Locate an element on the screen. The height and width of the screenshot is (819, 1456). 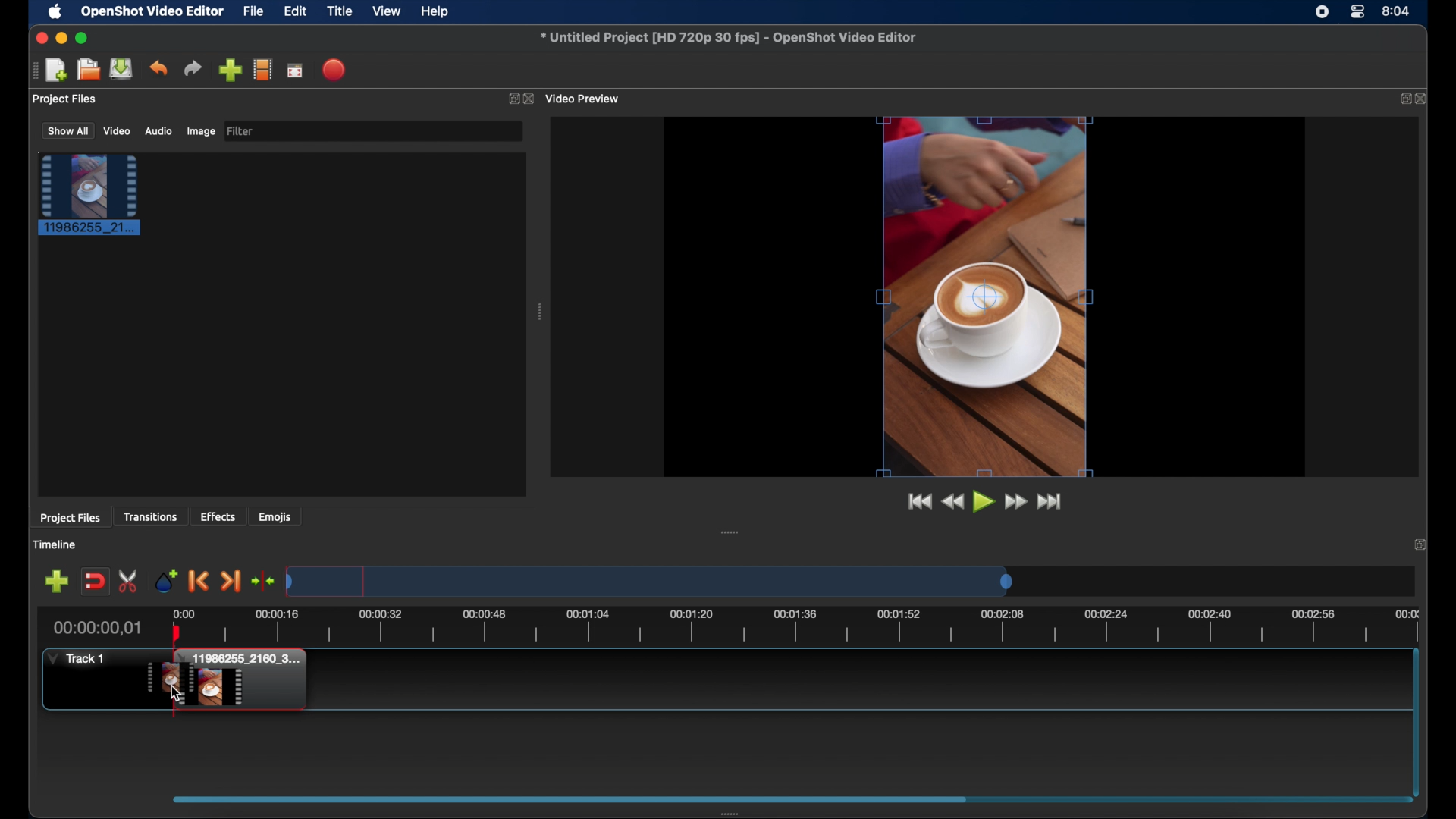
project files is located at coordinates (66, 99).